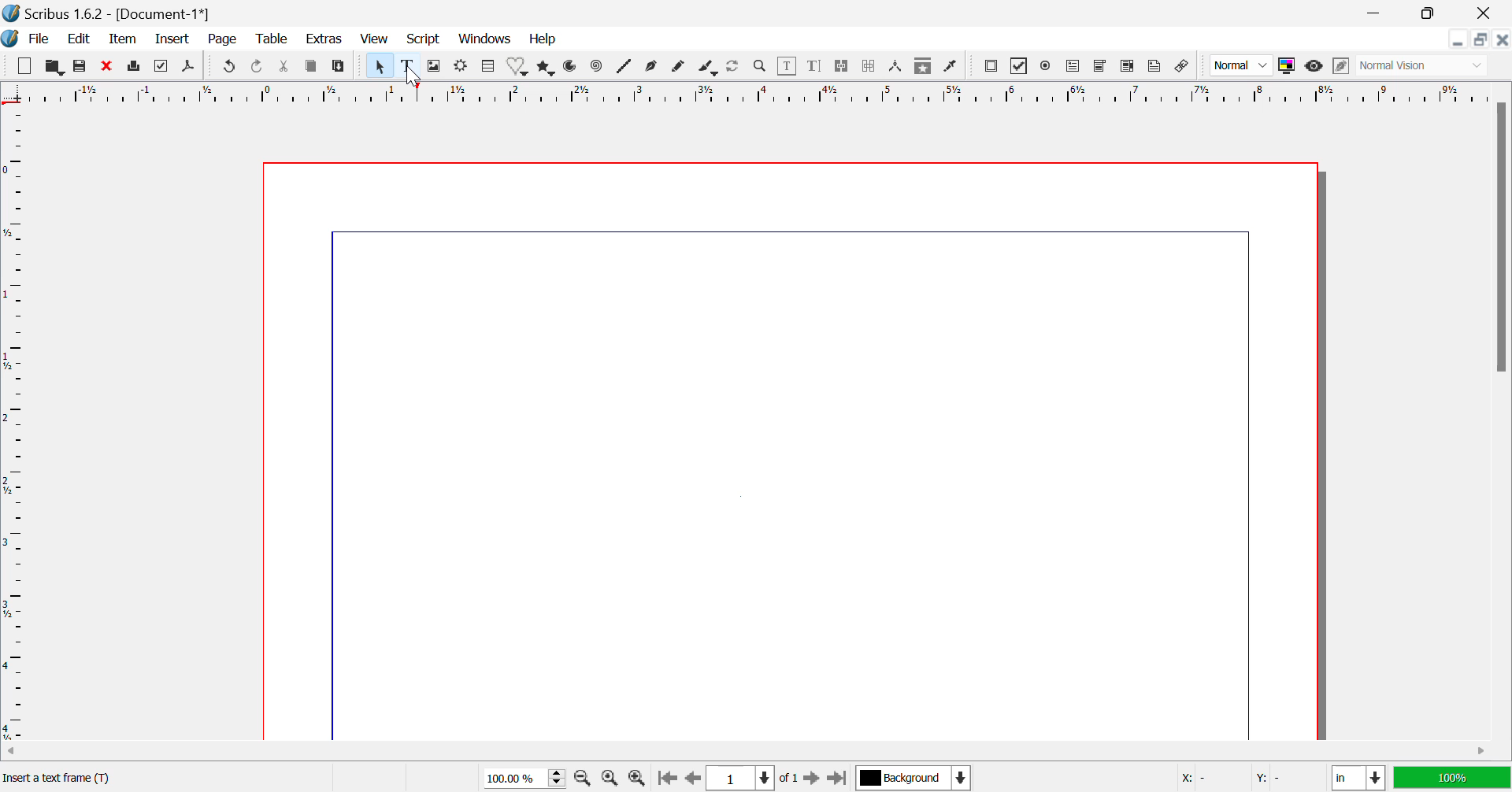 The height and width of the screenshot is (792, 1512). What do you see at coordinates (654, 68) in the screenshot?
I see `Bezier Curve` at bounding box center [654, 68].